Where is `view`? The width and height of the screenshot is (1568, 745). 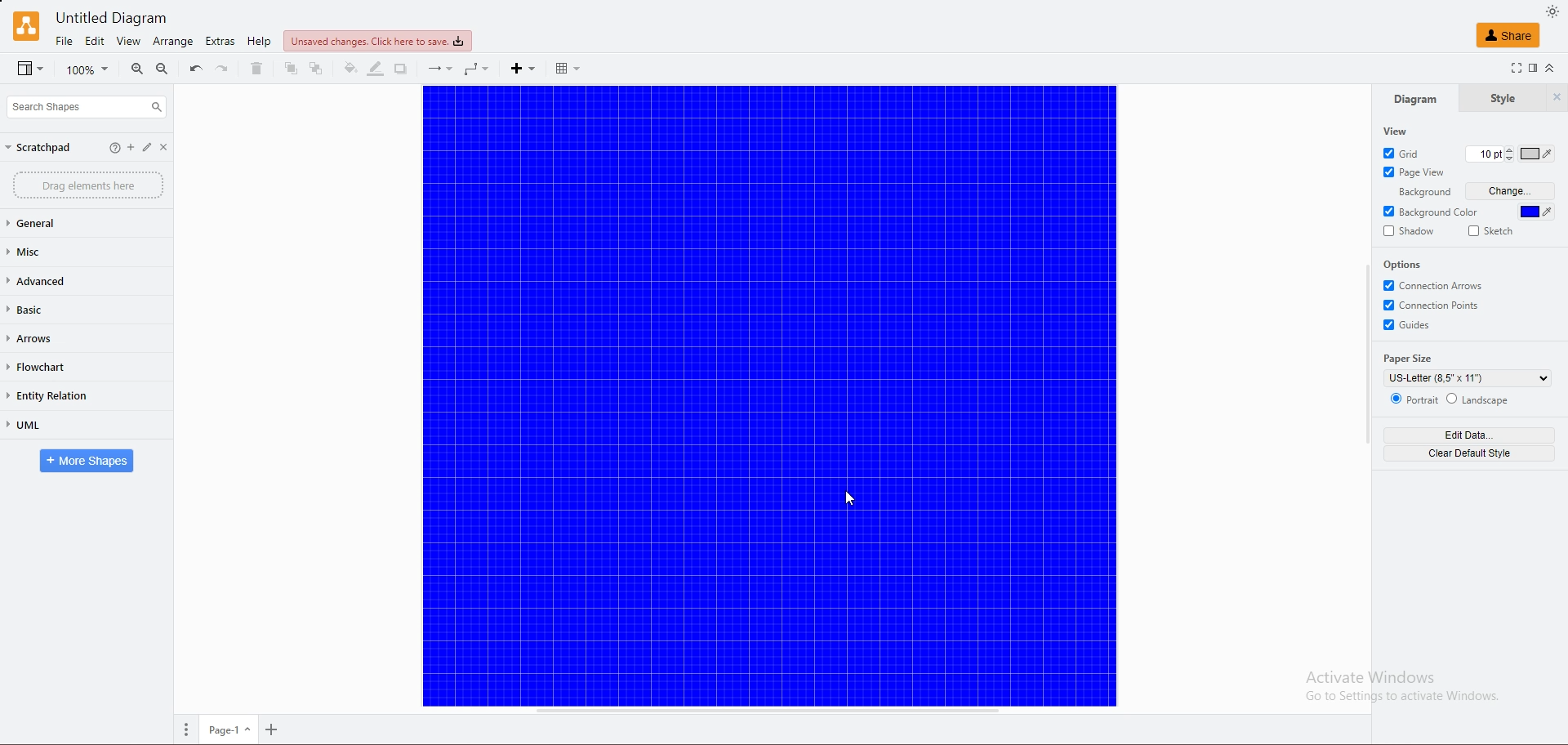 view is located at coordinates (127, 41).